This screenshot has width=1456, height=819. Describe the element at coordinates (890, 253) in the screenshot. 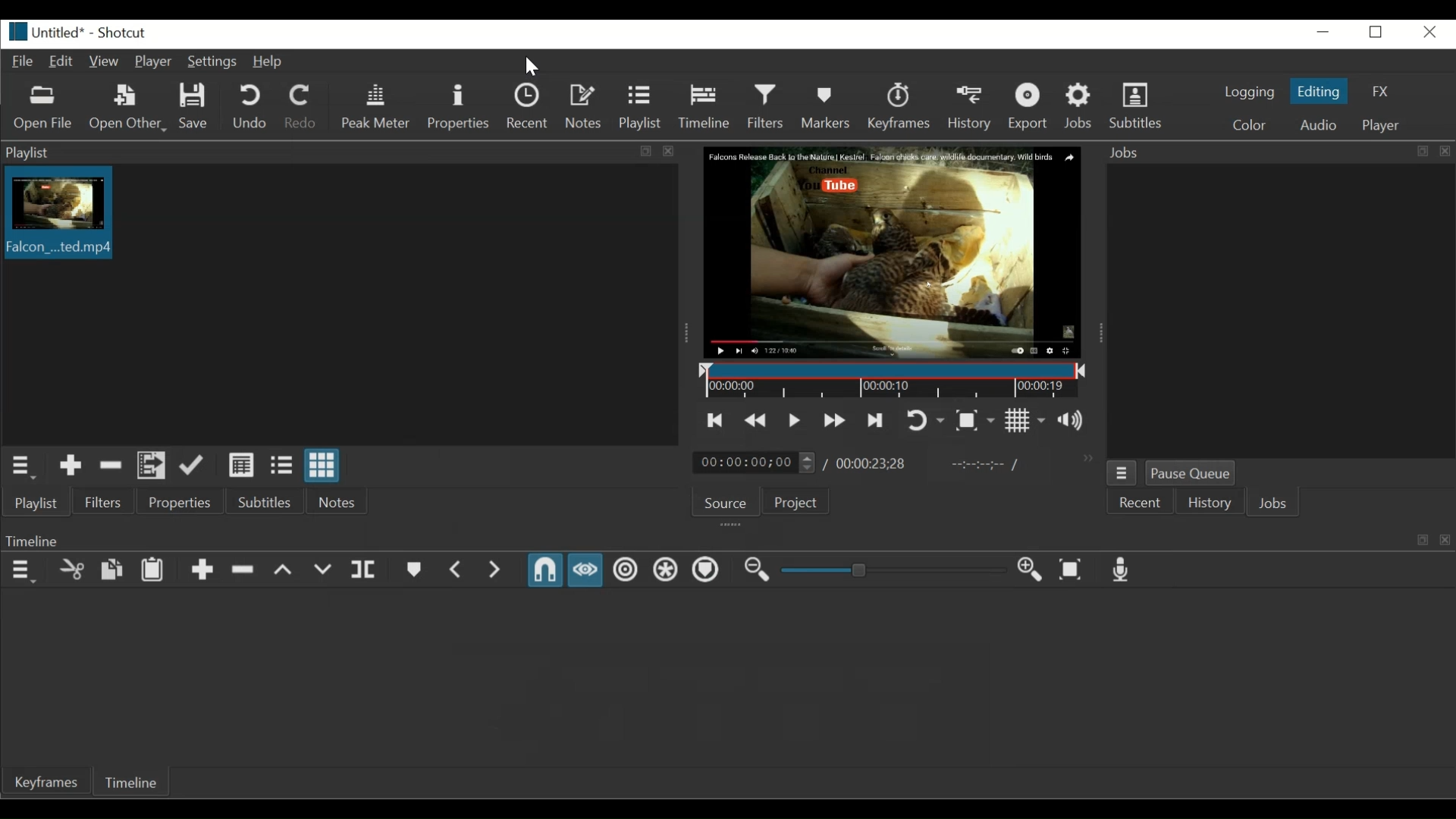

I see `Falcon Release Back to the Nature | Kestrel. Falcon chicks care wildlife documentary. Wild Birds. Channel. You tube(Media Viewer)` at that location.